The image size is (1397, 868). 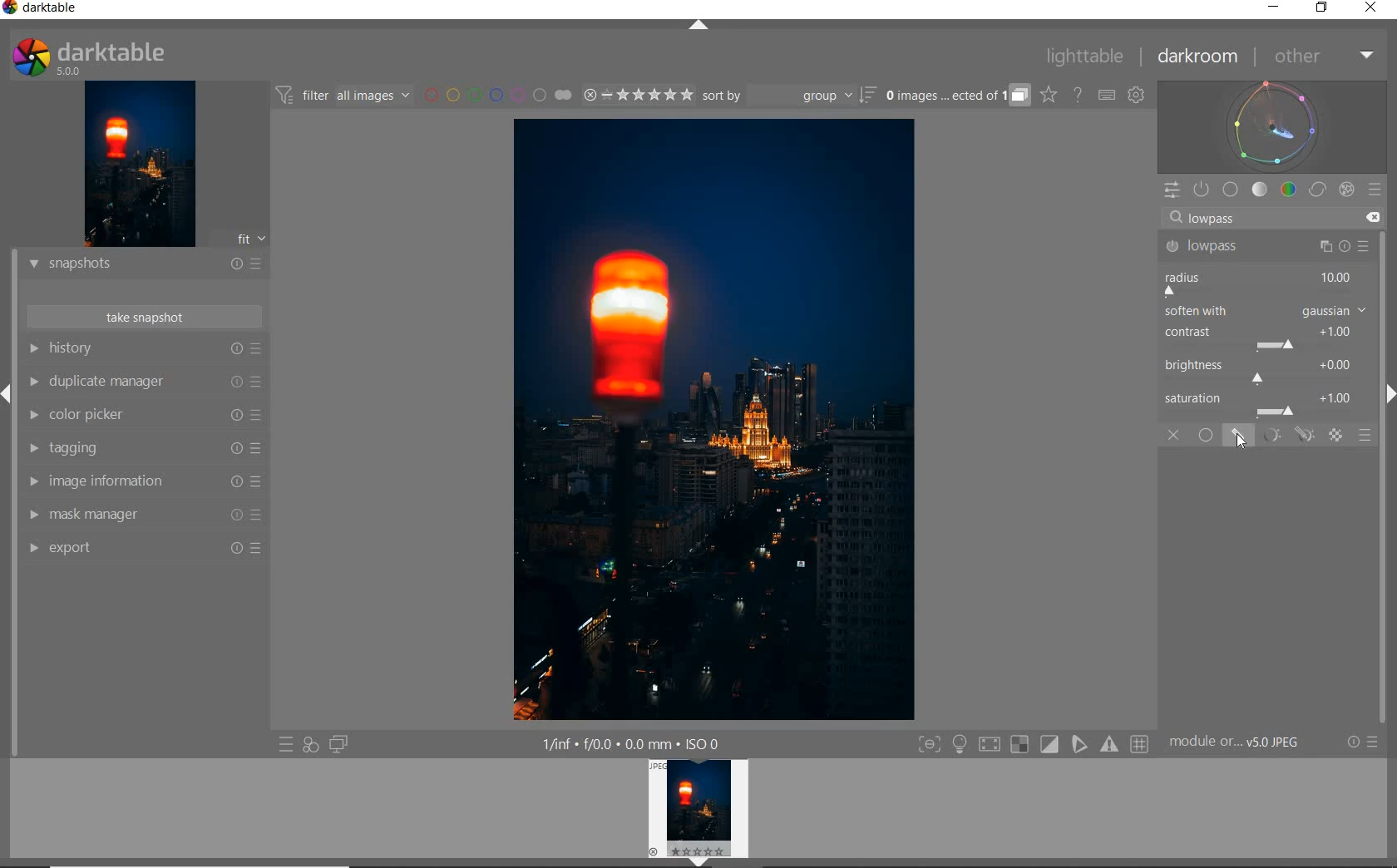 What do you see at coordinates (718, 422) in the screenshot?
I see `SELECTED IMAGE` at bounding box center [718, 422].